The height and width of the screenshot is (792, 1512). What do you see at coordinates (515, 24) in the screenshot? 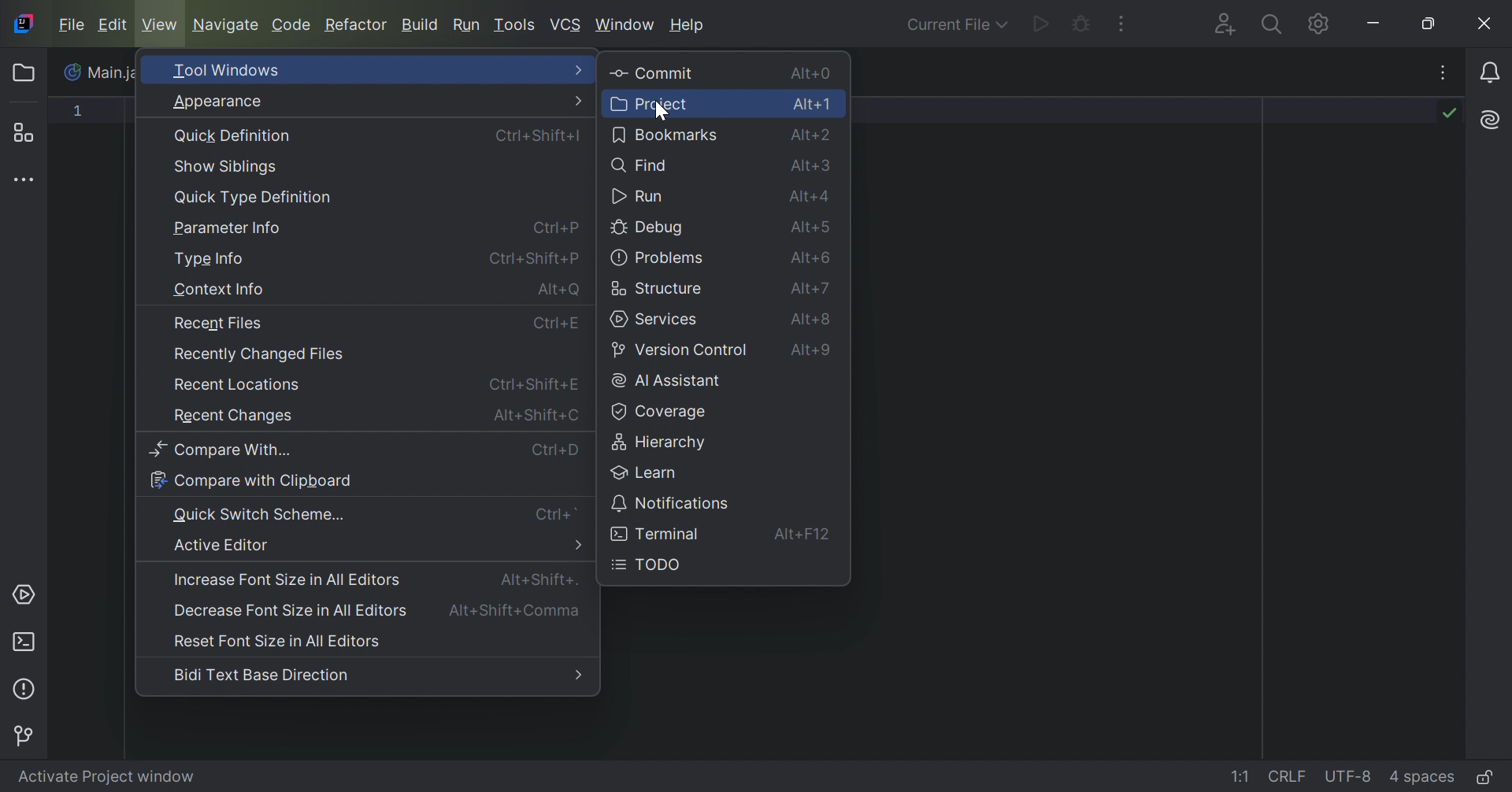
I see `Tools` at bounding box center [515, 24].